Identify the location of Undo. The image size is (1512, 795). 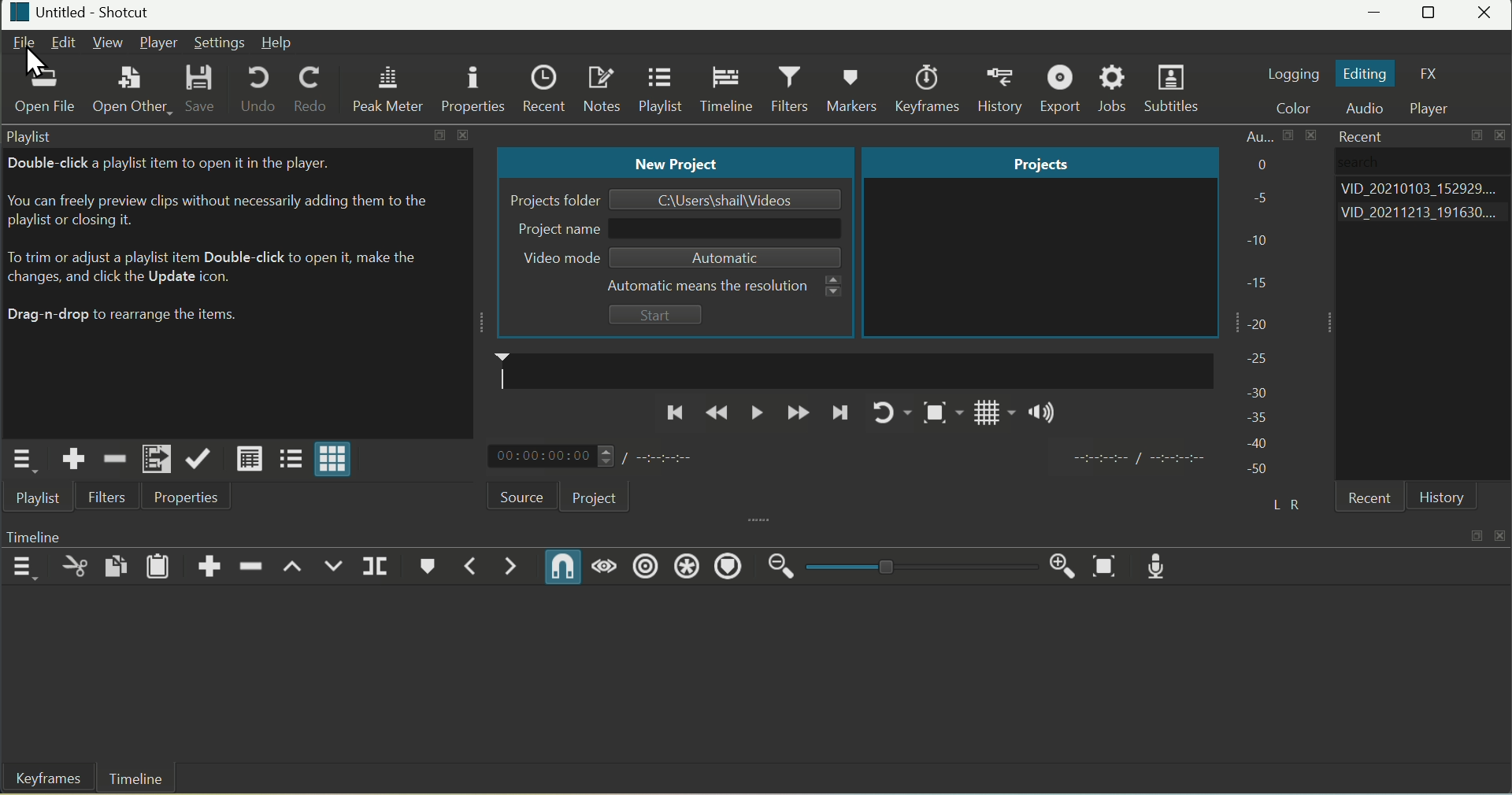
(258, 88).